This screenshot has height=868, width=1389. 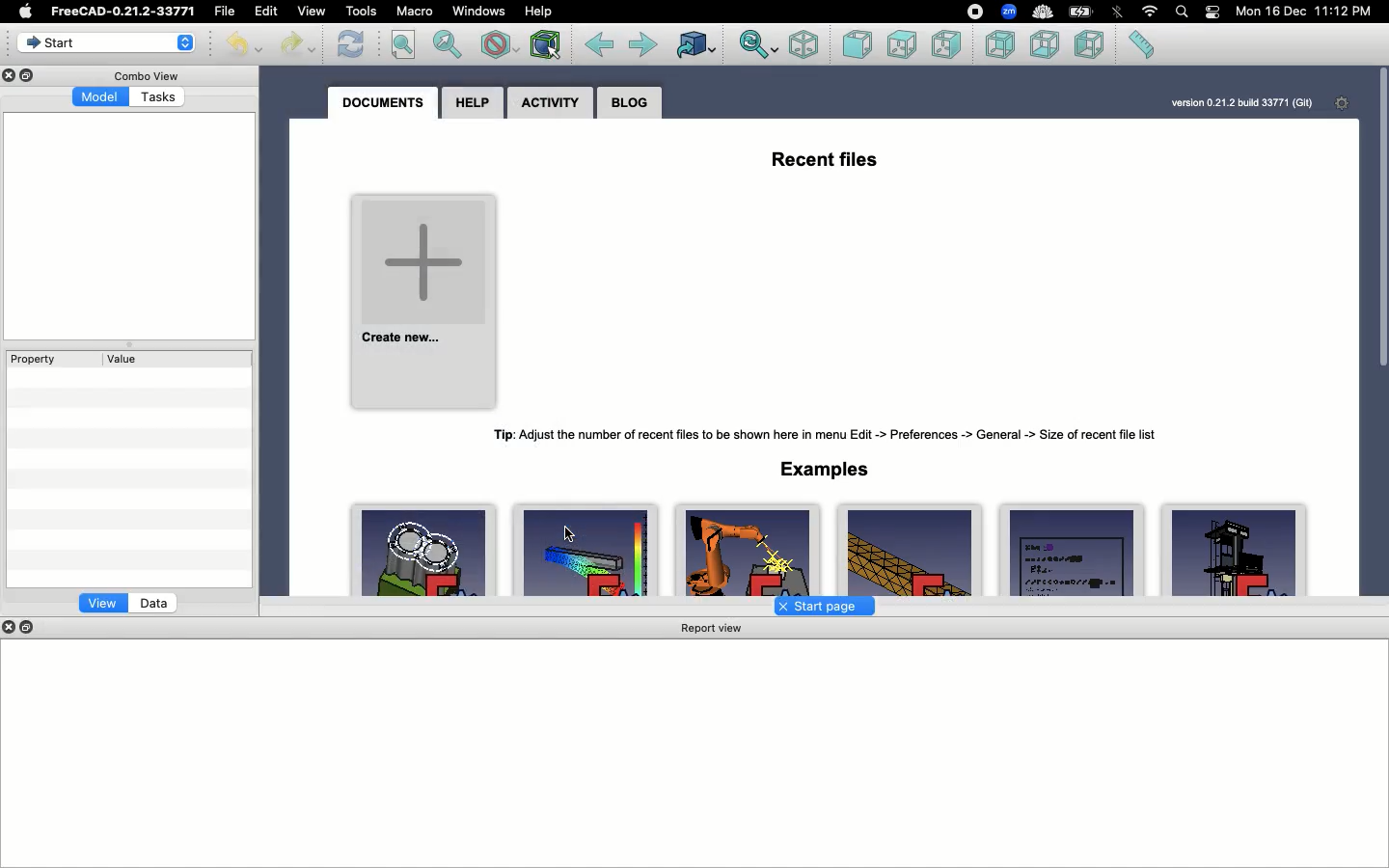 I want to click on Bottom, so click(x=1049, y=44).